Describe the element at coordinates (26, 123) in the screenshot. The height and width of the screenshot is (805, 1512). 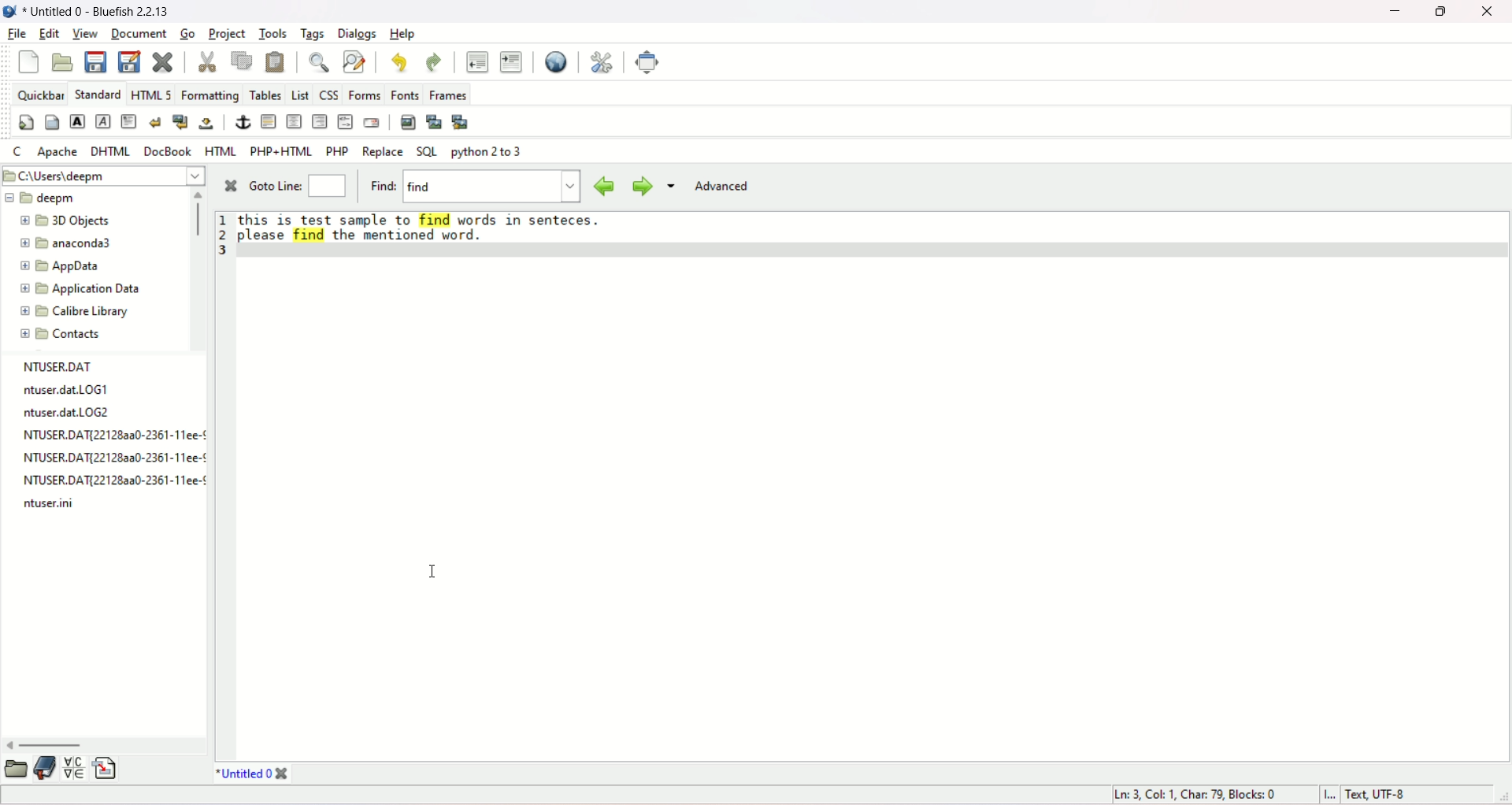
I see `quickstart` at that location.